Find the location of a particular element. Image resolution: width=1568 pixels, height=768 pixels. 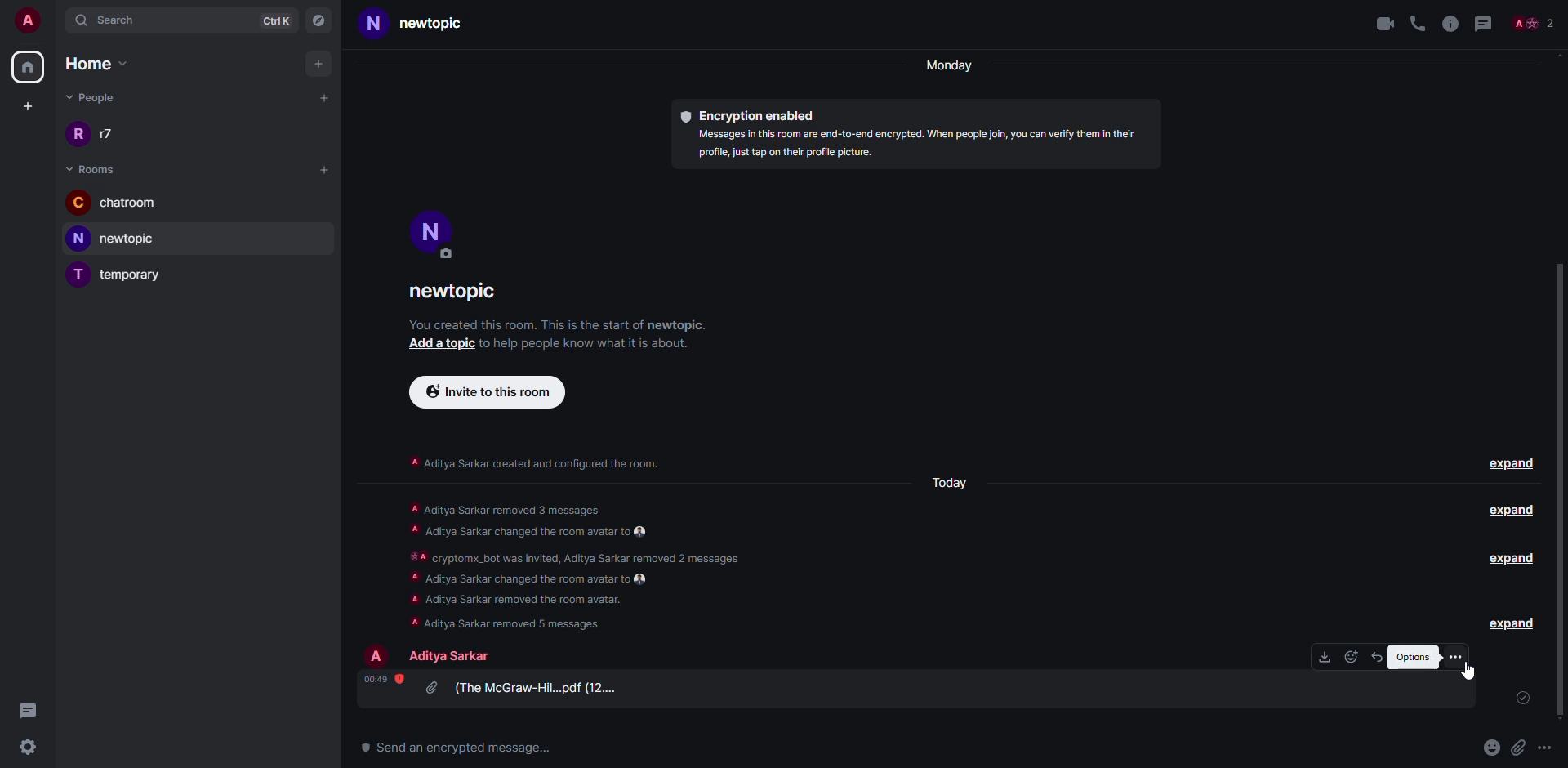

attachment is located at coordinates (528, 687).